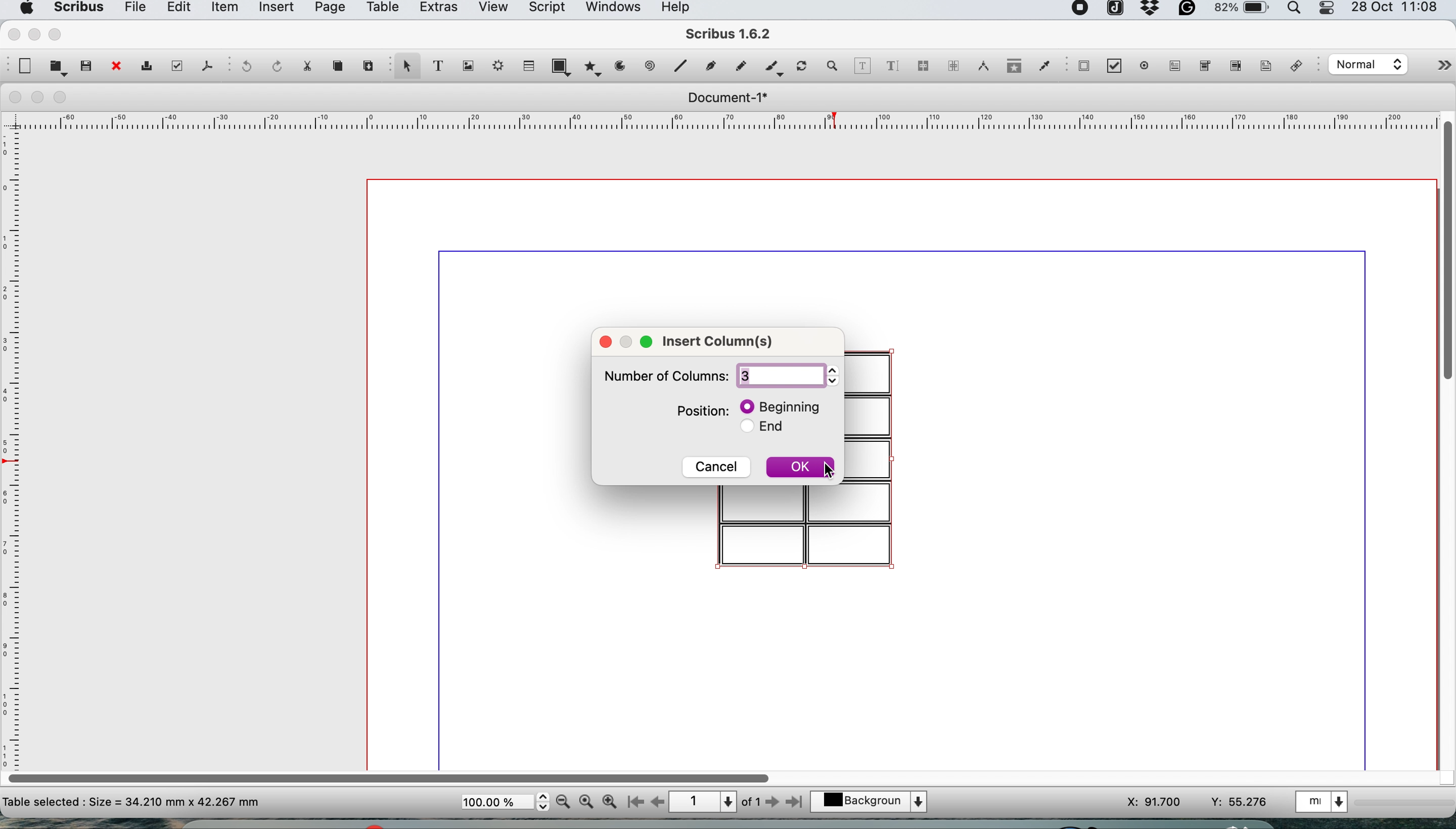 The height and width of the screenshot is (829, 1456). What do you see at coordinates (797, 801) in the screenshot?
I see `go to last page` at bounding box center [797, 801].